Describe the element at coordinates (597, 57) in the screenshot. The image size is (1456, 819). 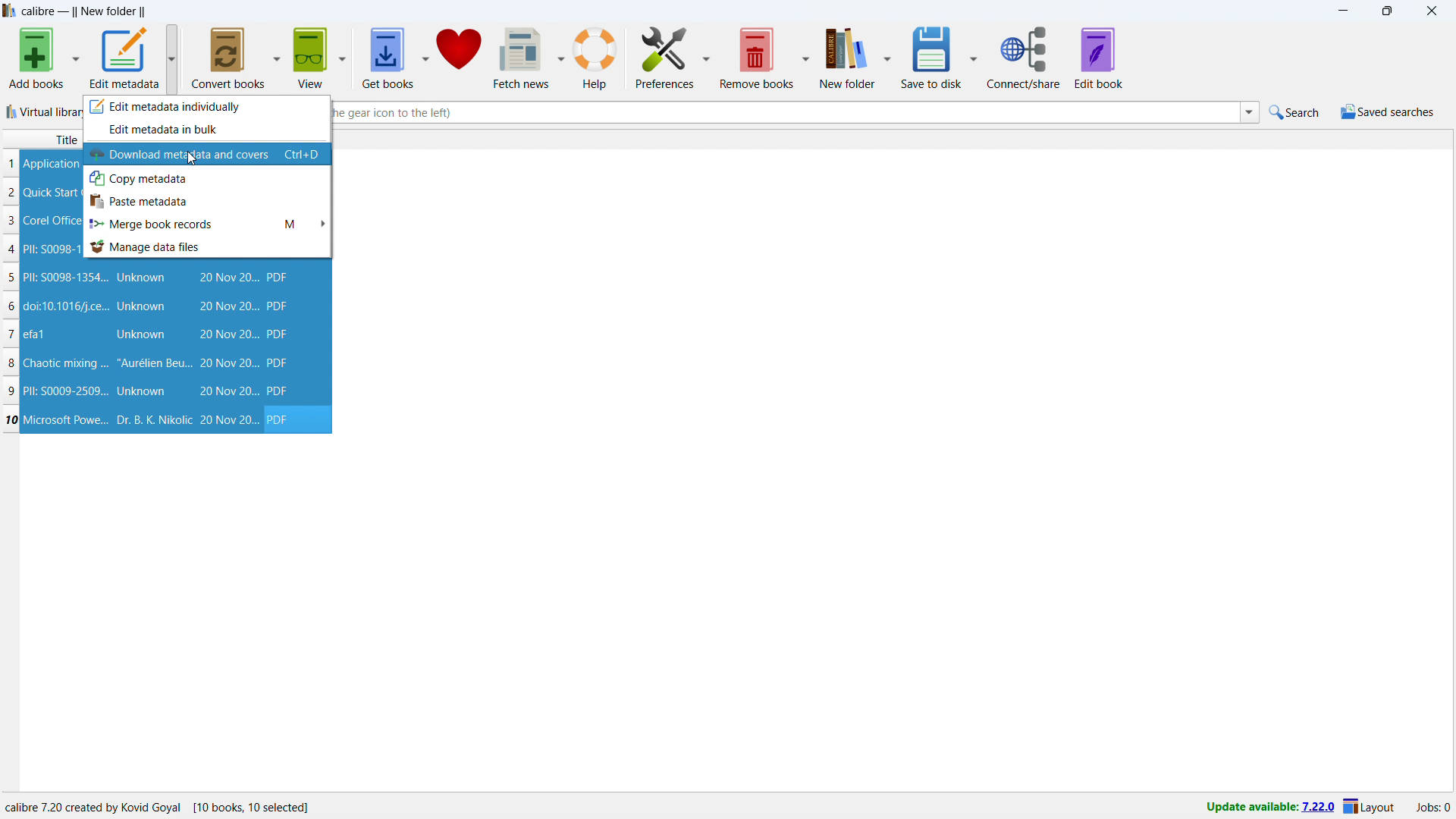
I see `help` at that location.